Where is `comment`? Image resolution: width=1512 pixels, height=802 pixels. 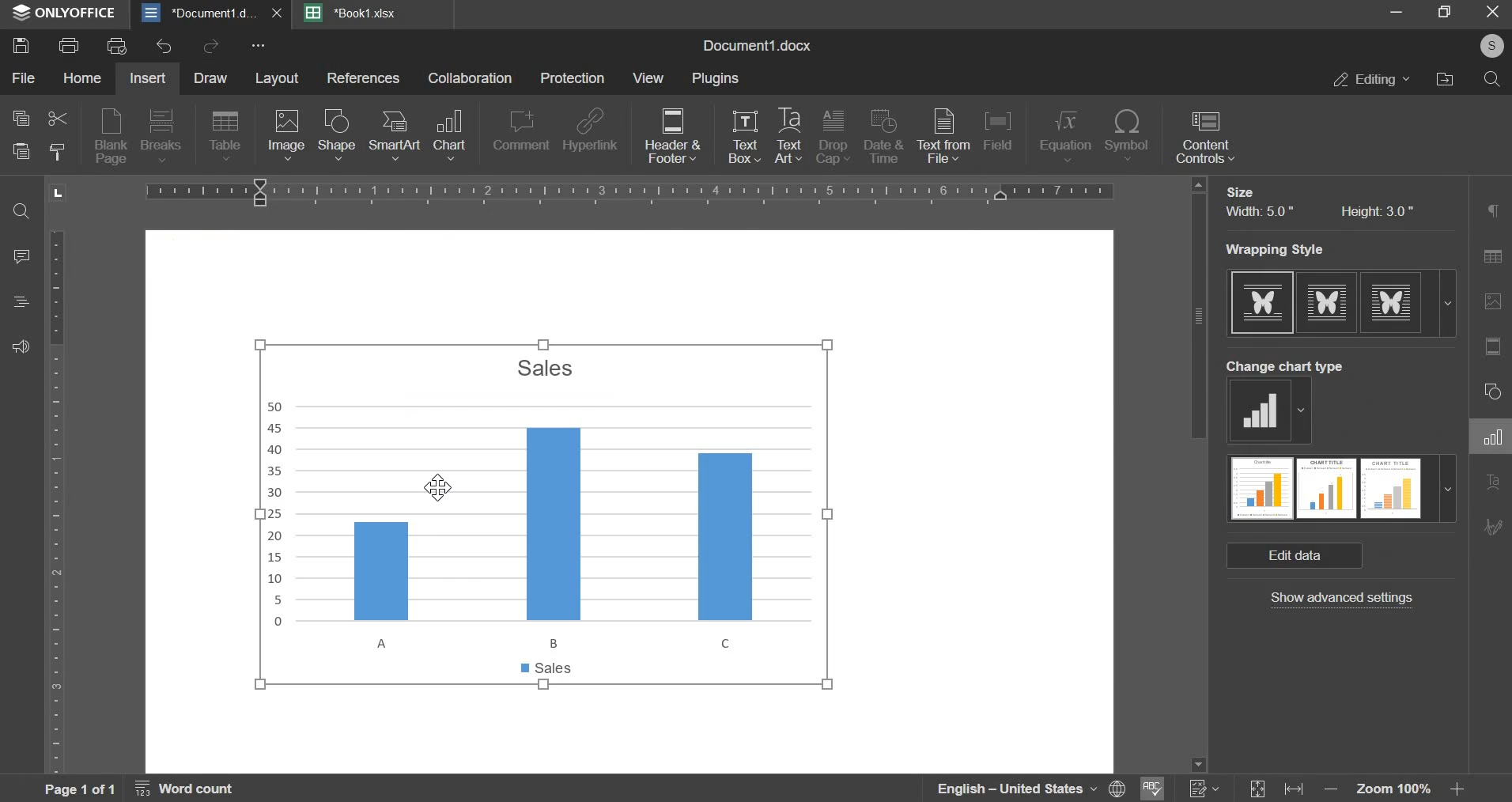 comment is located at coordinates (520, 134).